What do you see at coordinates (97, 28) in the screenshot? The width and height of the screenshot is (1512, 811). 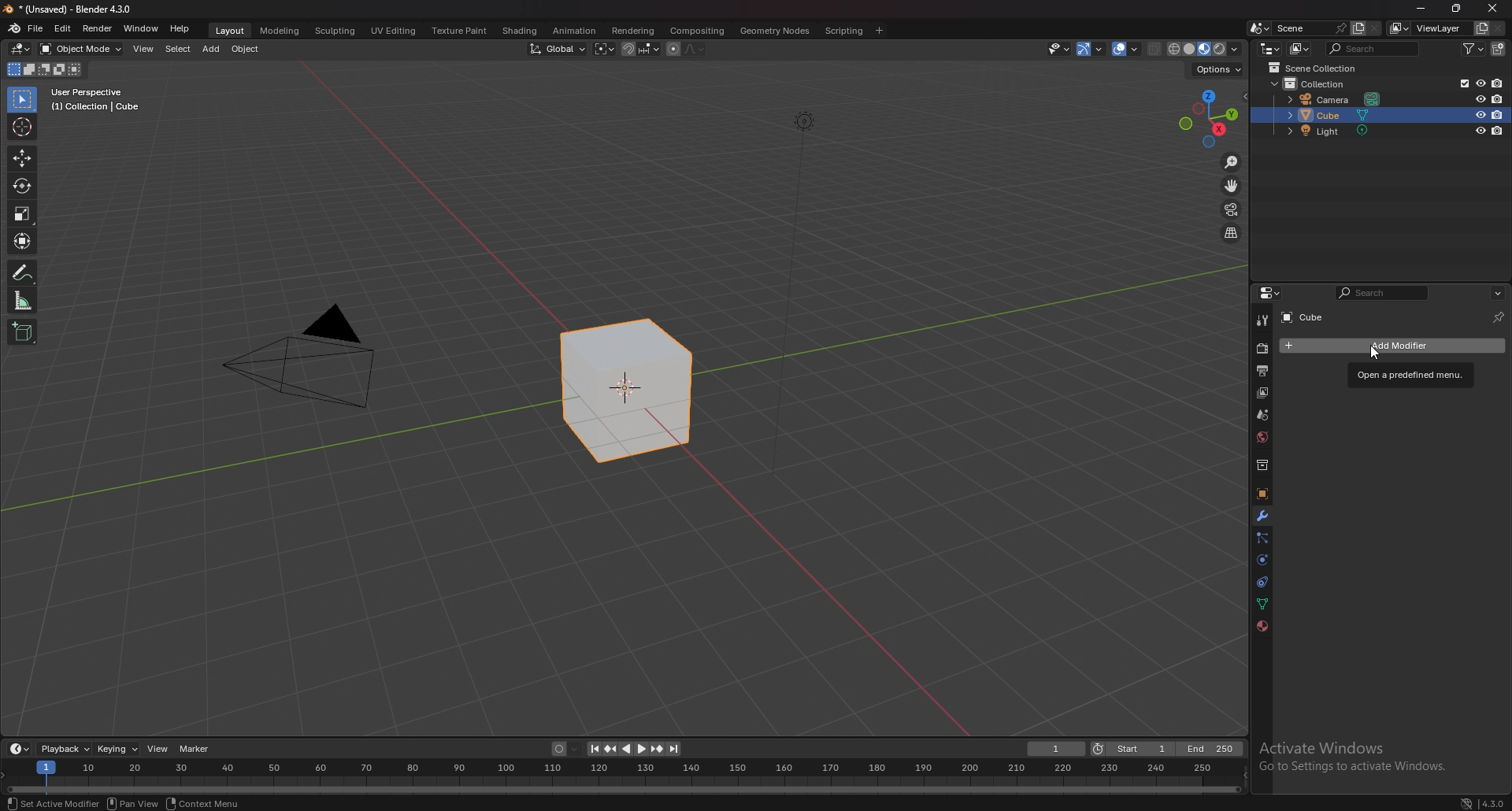 I see `render` at bounding box center [97, 28].